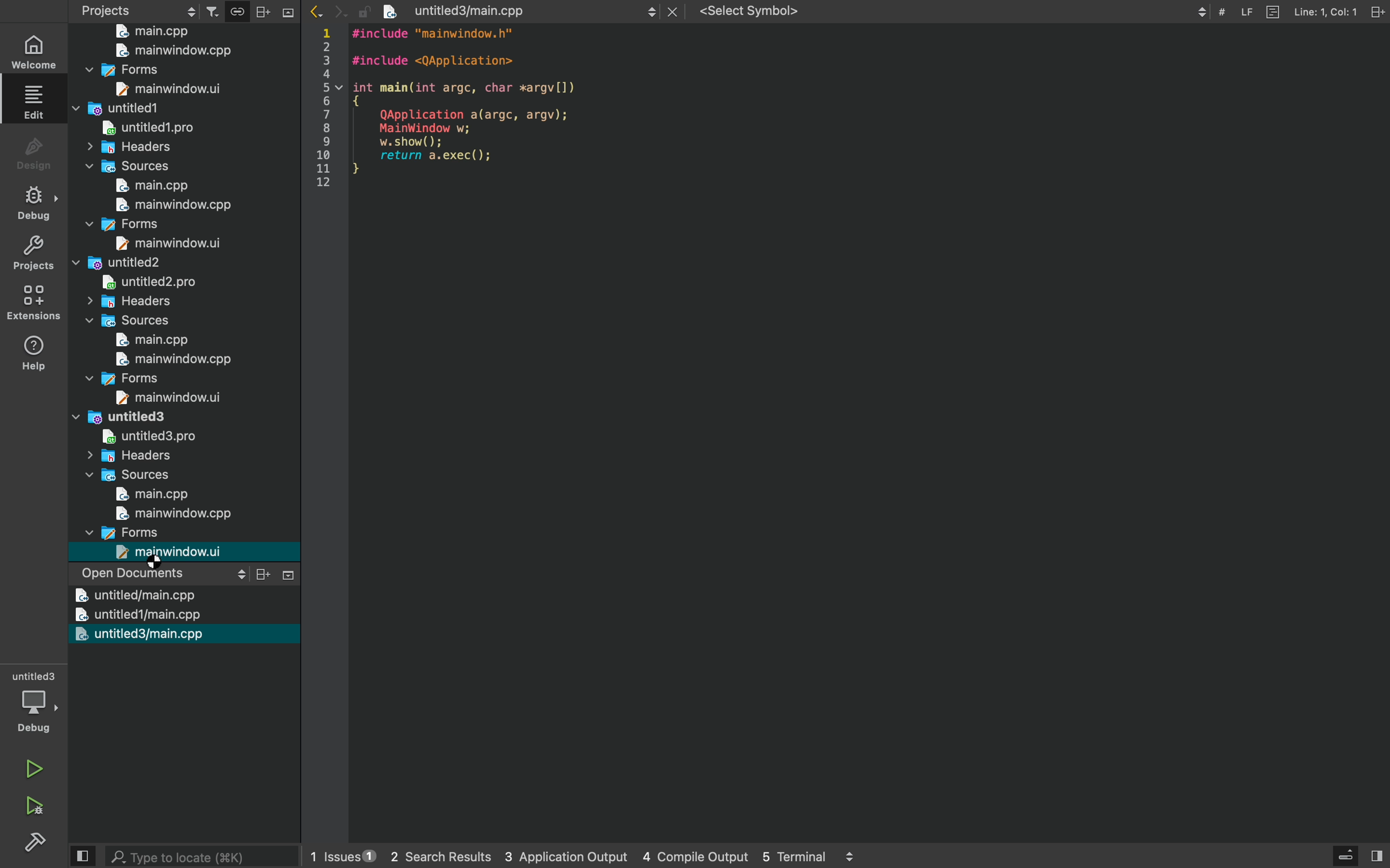 The width and height of the screenshot is (1390, 868). I want to click on mainwindow, so click(149, 263).